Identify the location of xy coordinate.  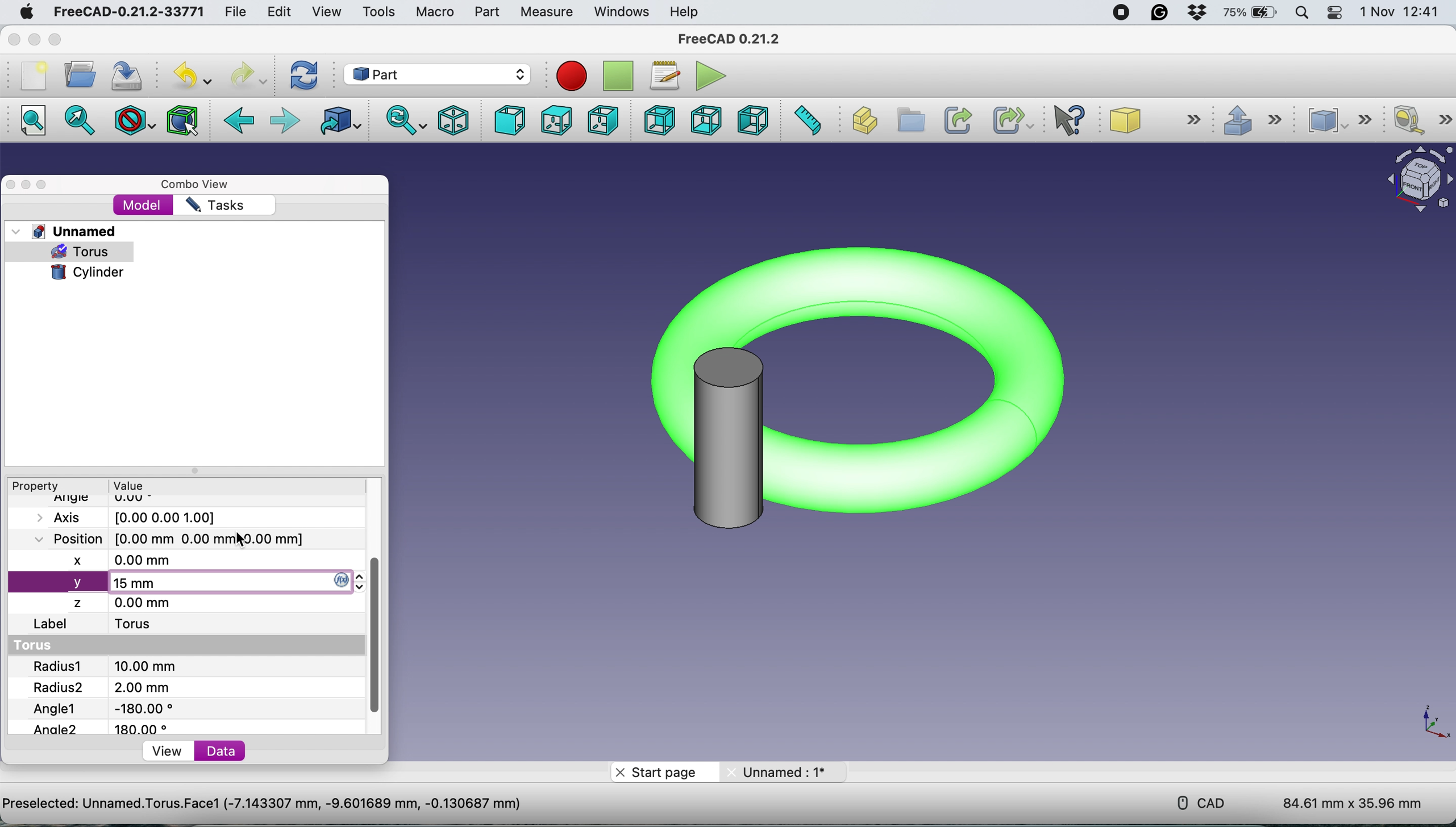
(1432, 726).